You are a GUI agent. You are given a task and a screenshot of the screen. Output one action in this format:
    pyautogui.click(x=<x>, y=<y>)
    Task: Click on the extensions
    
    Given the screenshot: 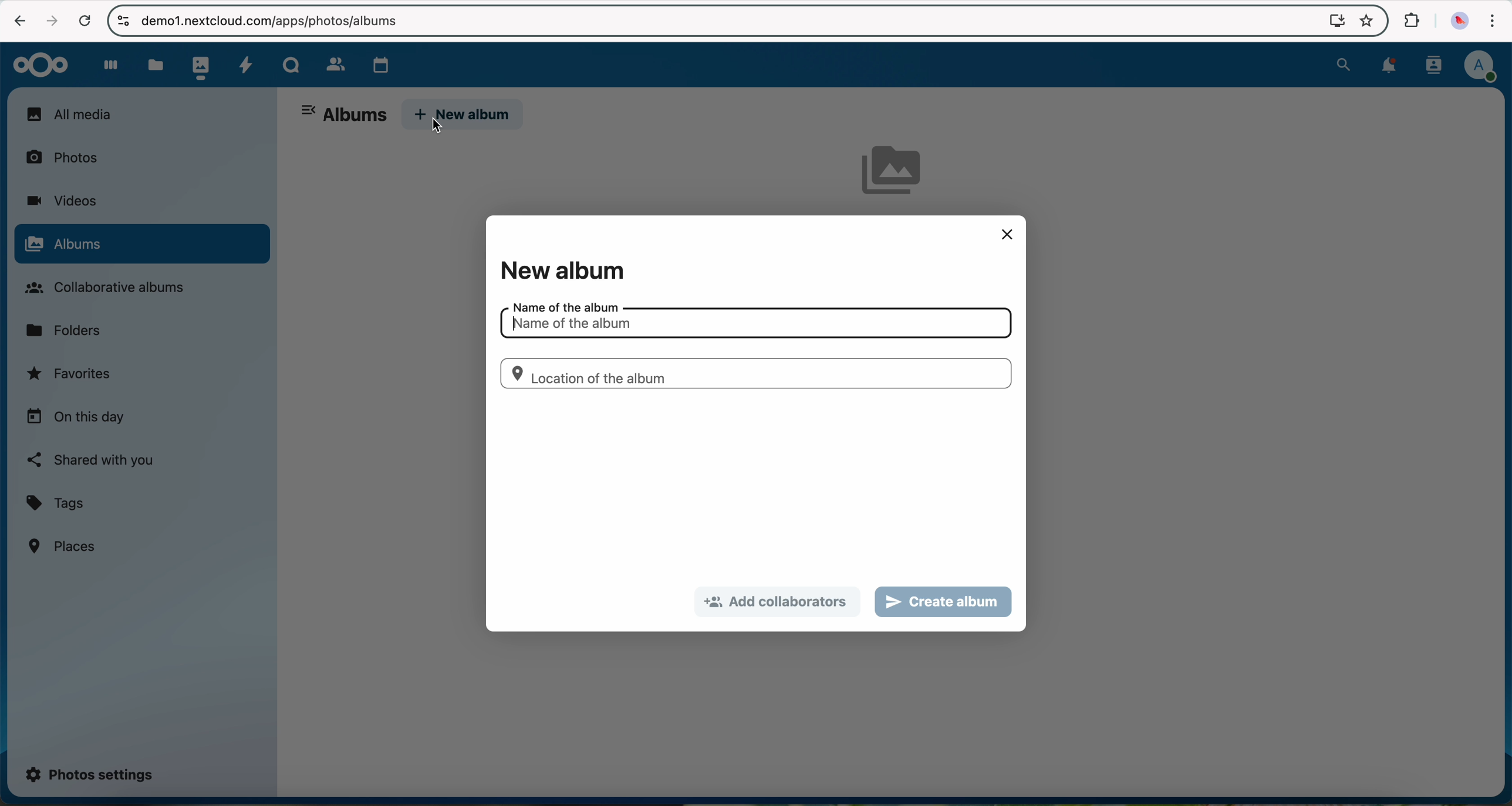 What is the action you would take?
    pyautogui.click(x=1410, y=21)
    